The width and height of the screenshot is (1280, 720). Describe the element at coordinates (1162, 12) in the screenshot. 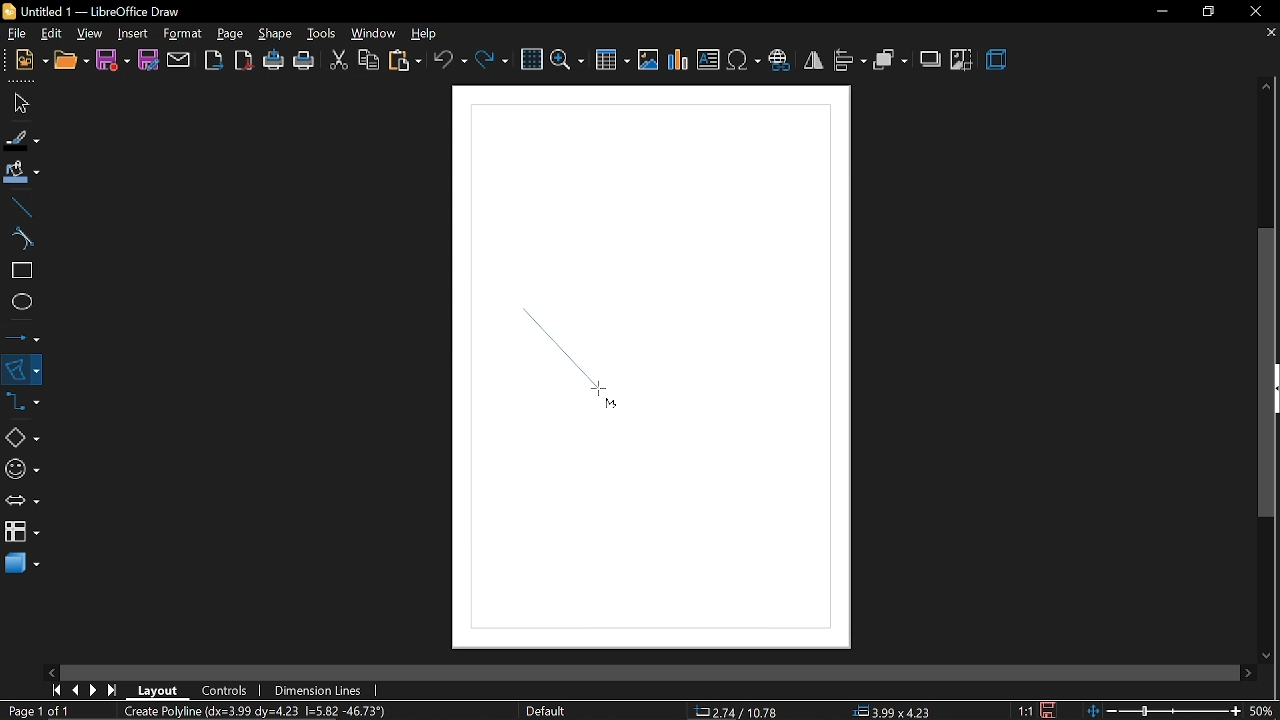

I see `minimize` at that location.